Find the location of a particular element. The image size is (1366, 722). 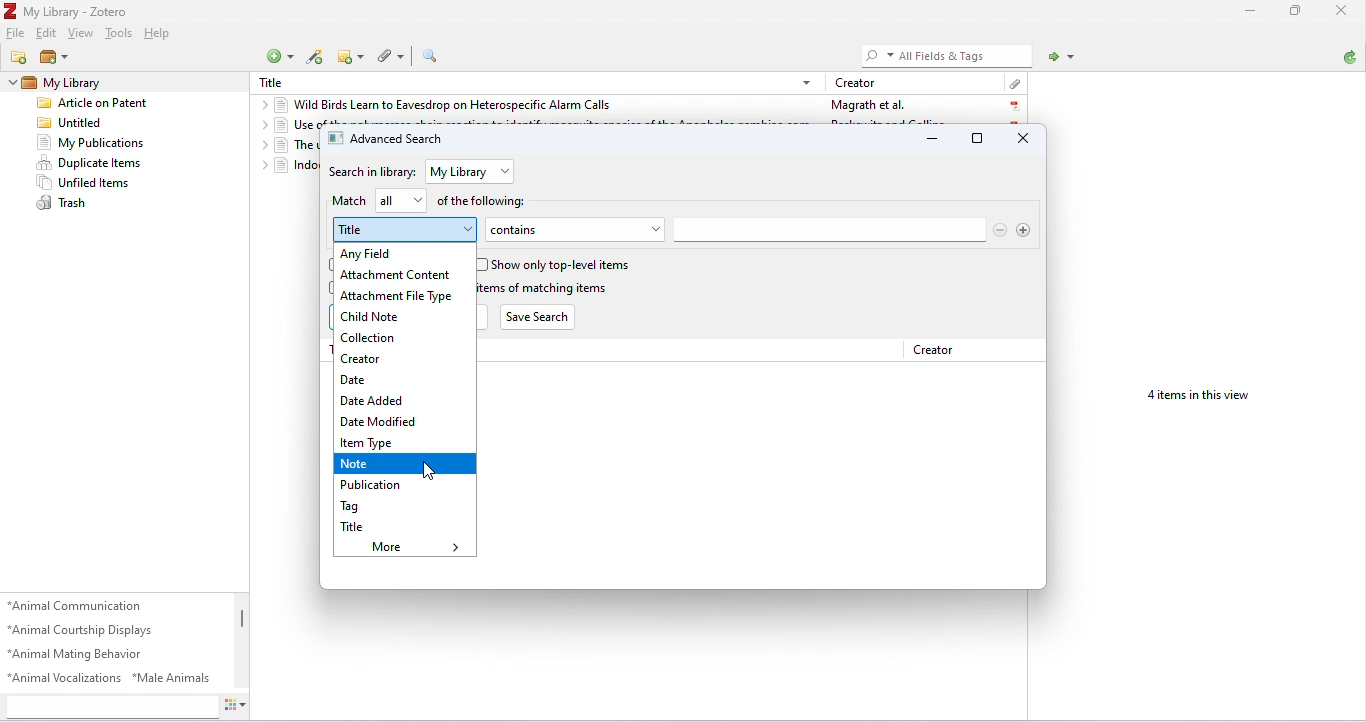

my library is located at coordinates (68, 84).